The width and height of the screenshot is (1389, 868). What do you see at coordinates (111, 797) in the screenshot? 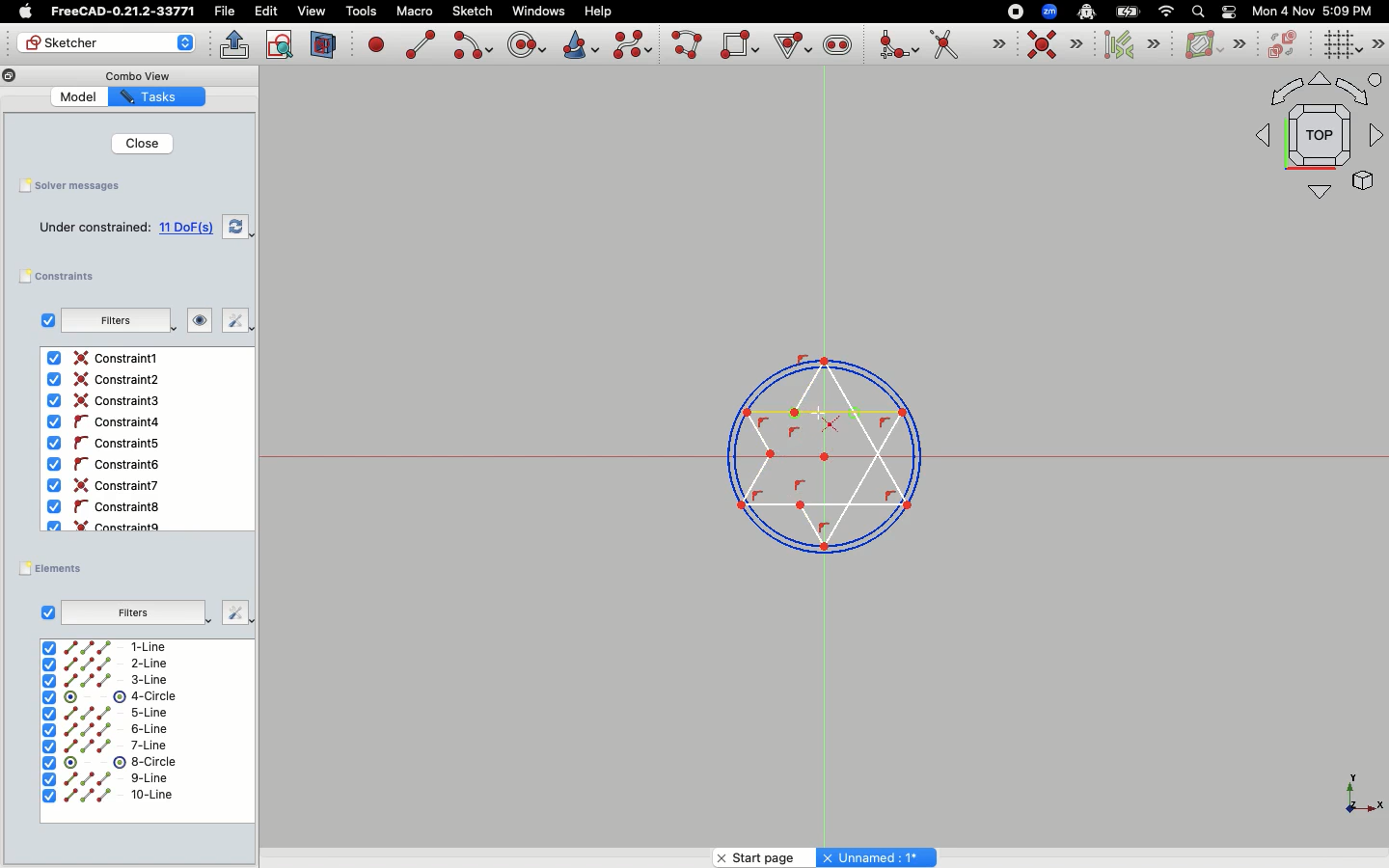
I see `10-line` at bounding box center [111, 797].